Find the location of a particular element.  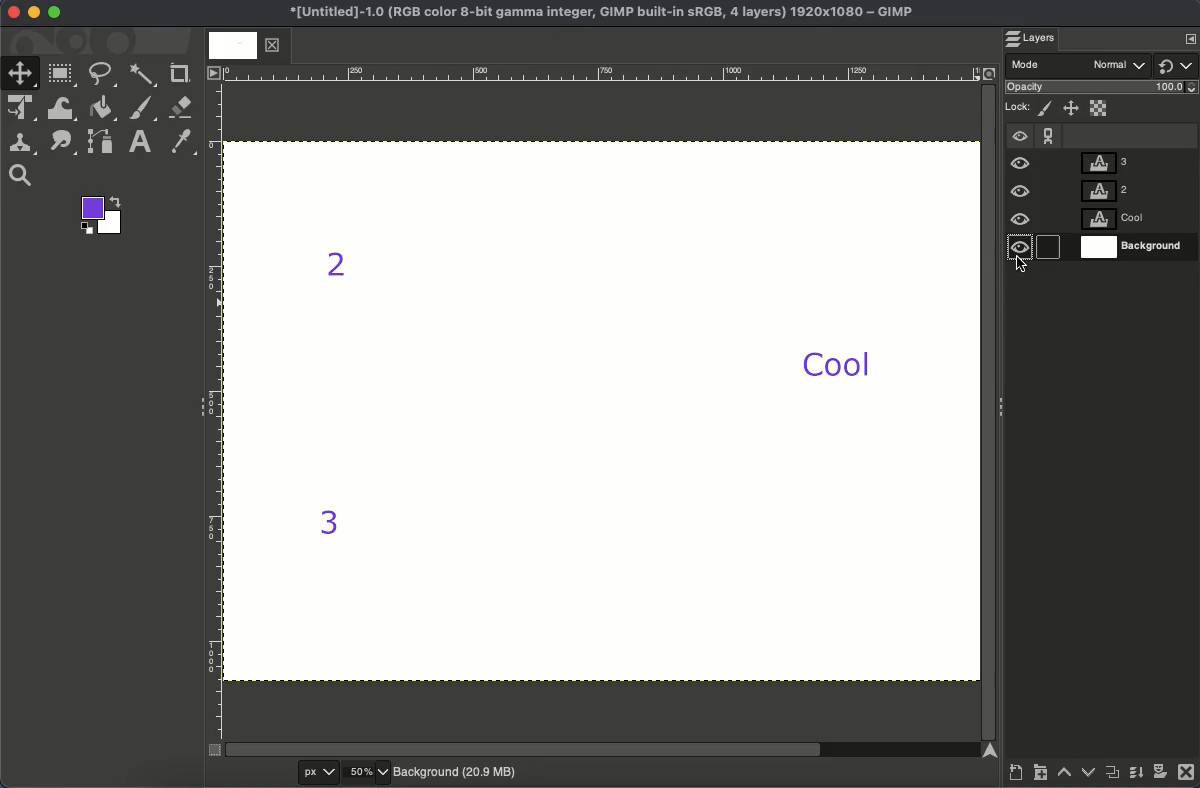

Visible is located at coordinates (1021, 194).